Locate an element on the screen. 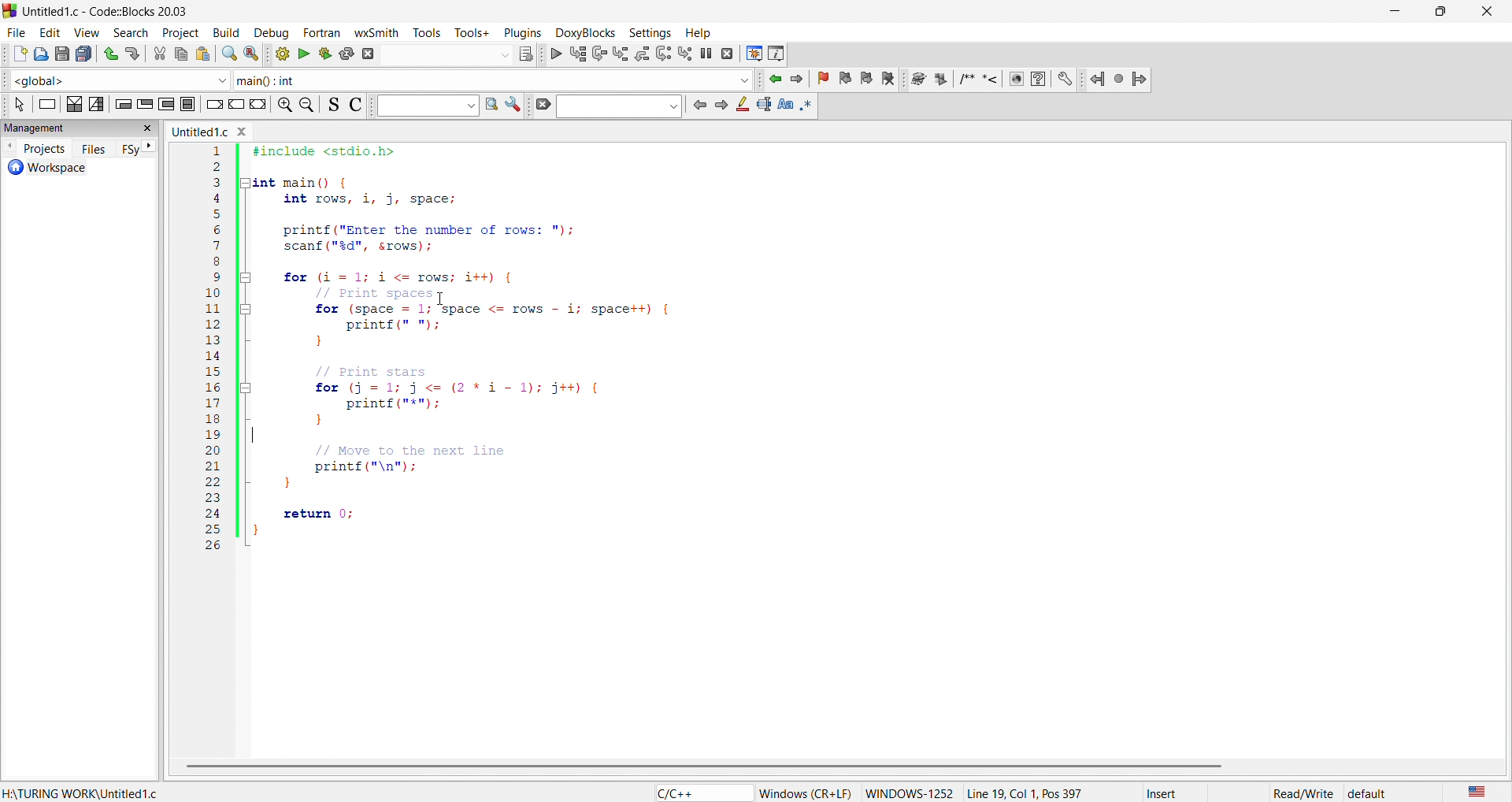 The width and height of the screenshot is (1512, 802). files tab is located at coordinates (94, 149).